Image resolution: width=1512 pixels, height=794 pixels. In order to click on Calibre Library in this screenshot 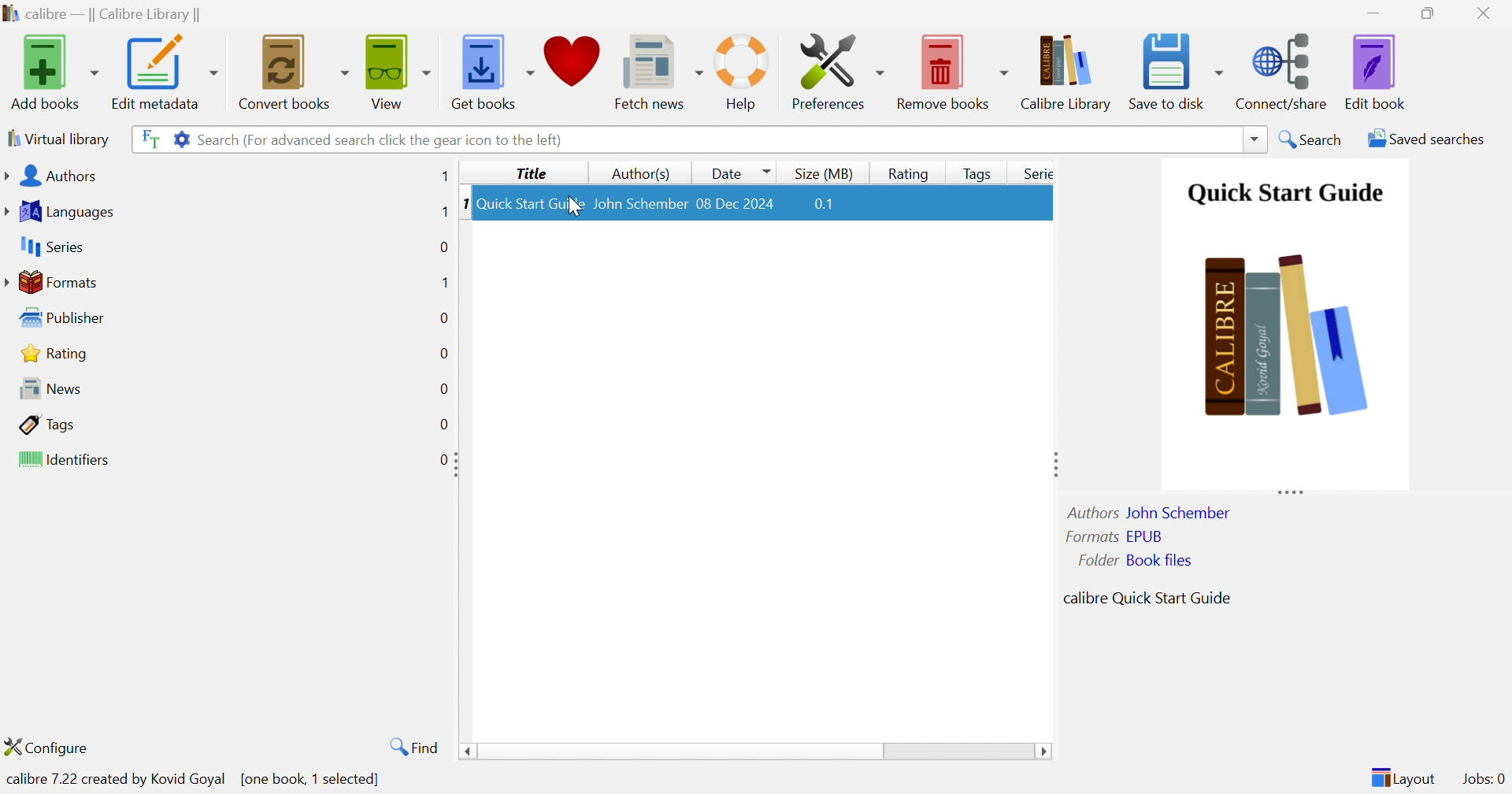, I will do `click(1066, 72)`.